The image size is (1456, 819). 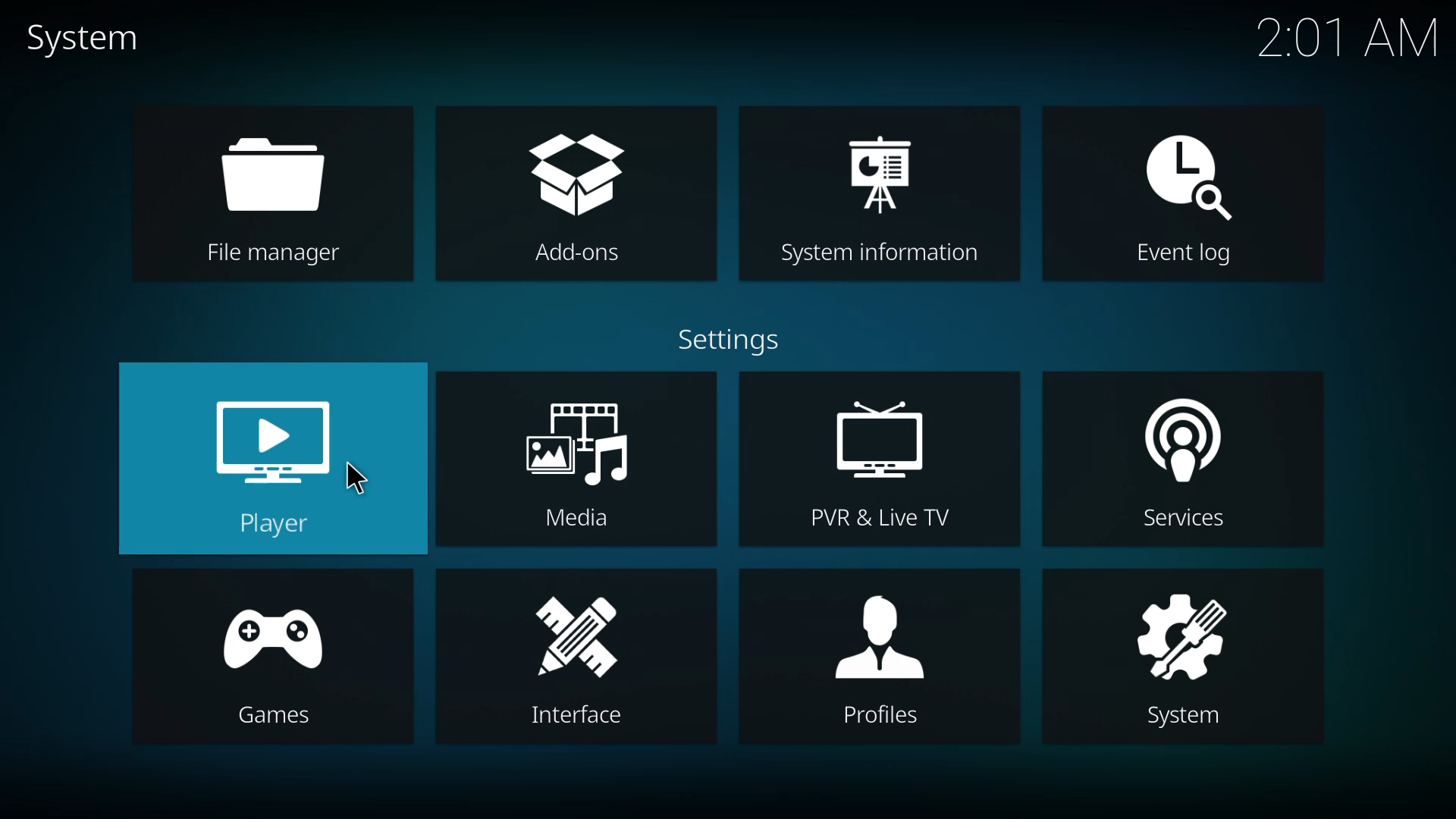 What do you see at coordinates (1177, 658) in the screenshot?
I see `system` at bounding box center [1177, 658].